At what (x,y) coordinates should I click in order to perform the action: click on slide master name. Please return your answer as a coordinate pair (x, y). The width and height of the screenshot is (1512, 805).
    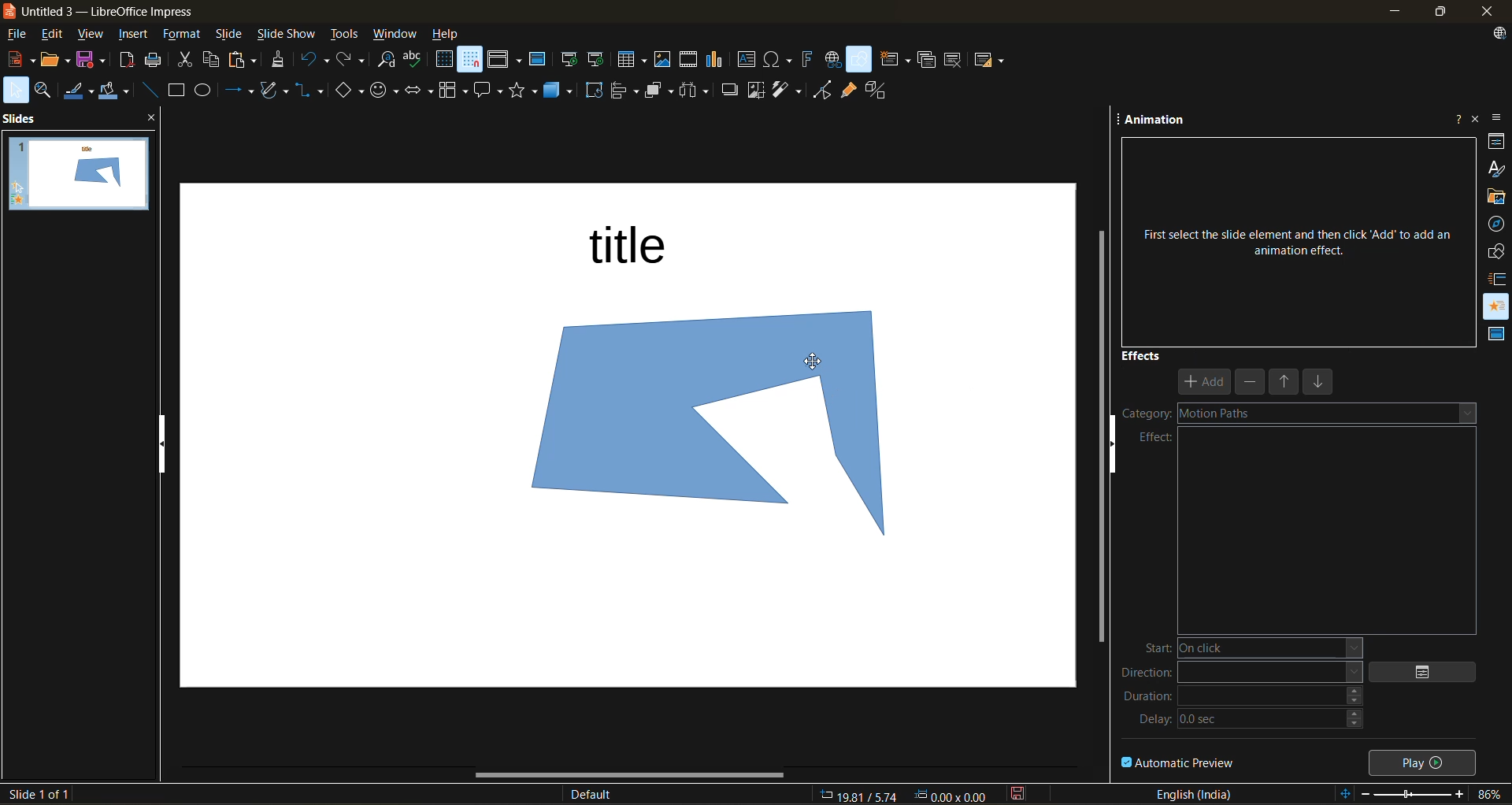
    Looking at the image, I should click on (598, 796).